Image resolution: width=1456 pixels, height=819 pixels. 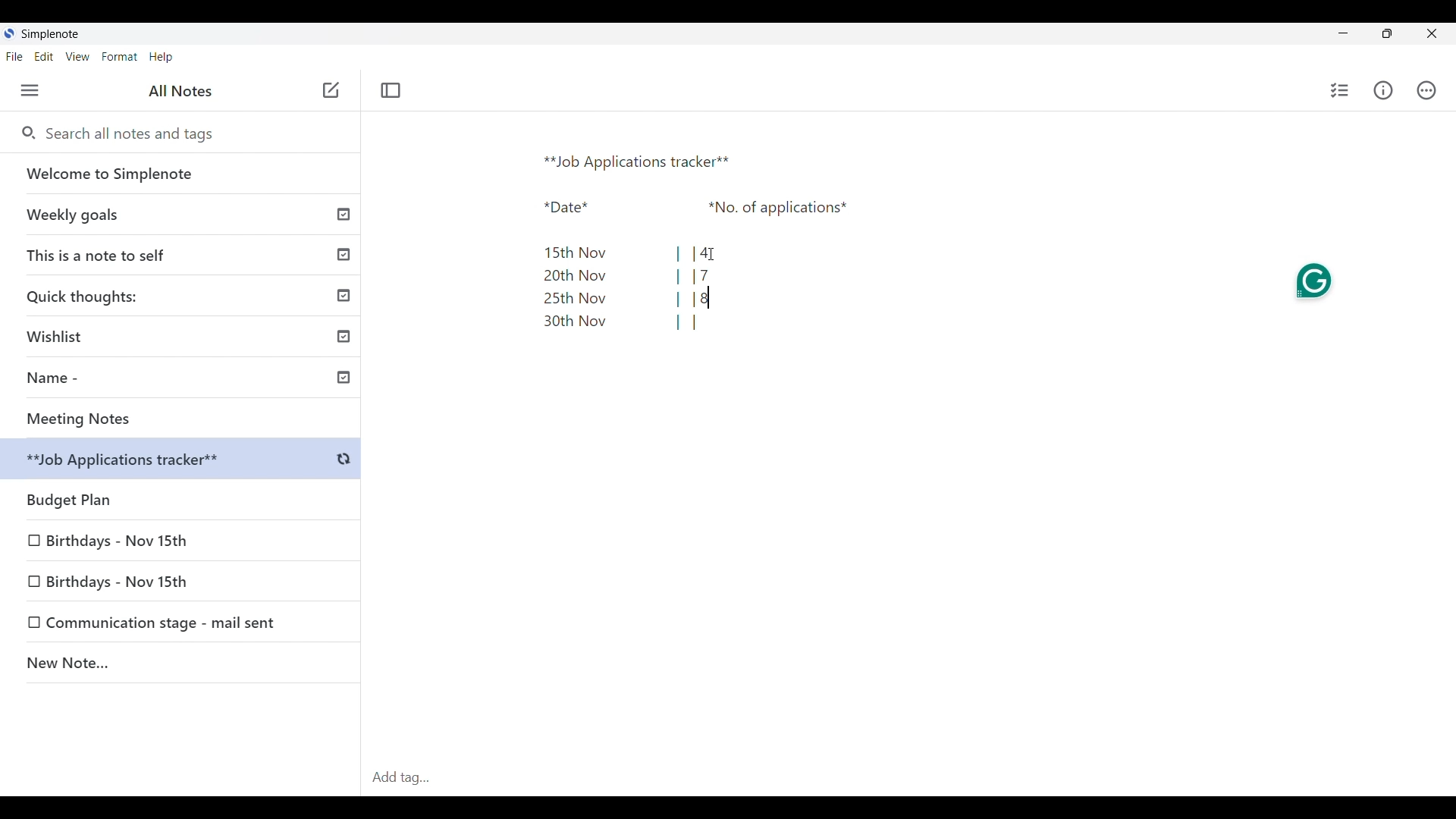 What do you see at coordinates (1384, 90) in the screenshot?
I see `Info` at bounding box center [1384, 90].